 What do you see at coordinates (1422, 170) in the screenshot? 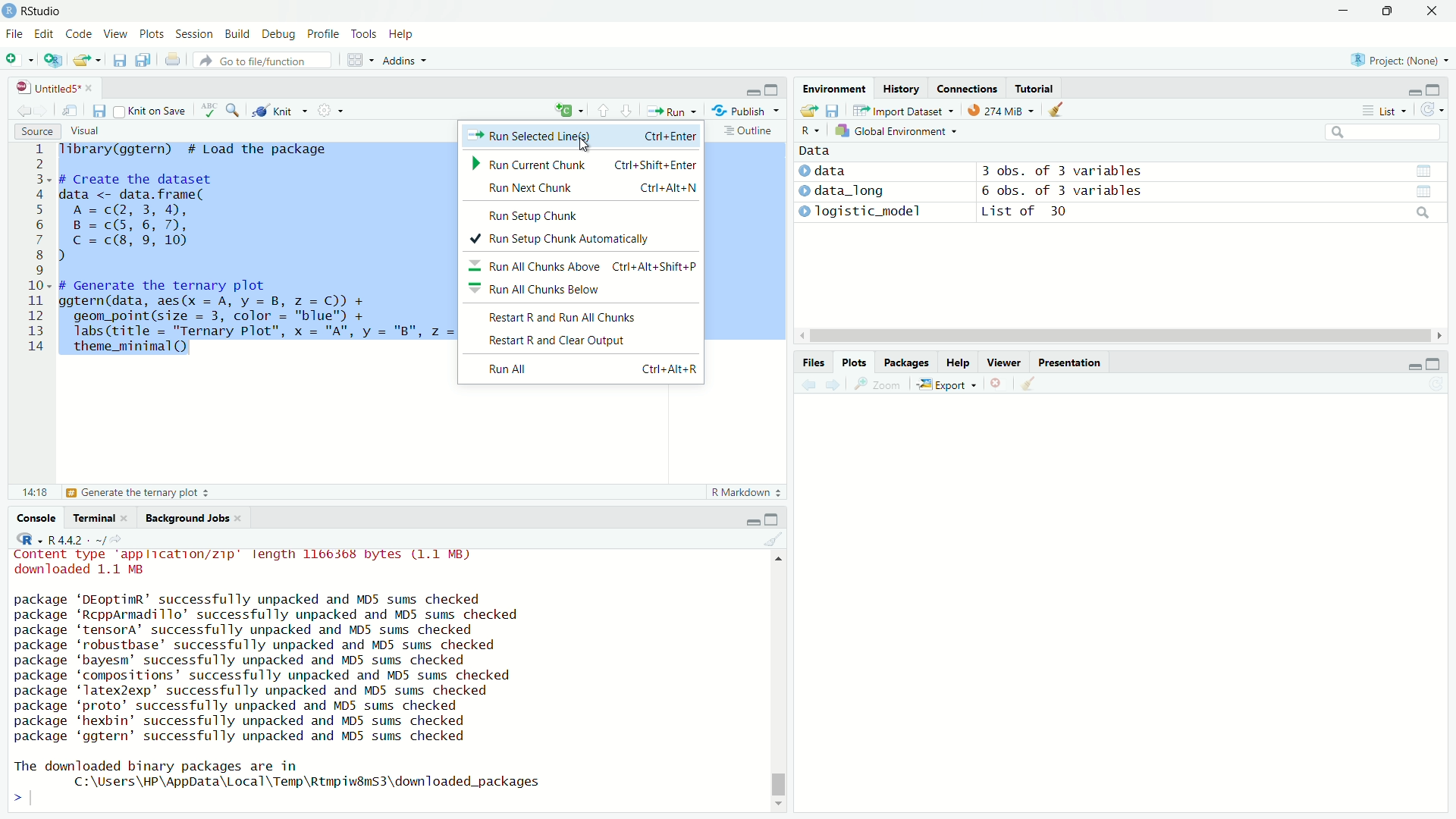
I see `view` at bounding box center [1422, 170].